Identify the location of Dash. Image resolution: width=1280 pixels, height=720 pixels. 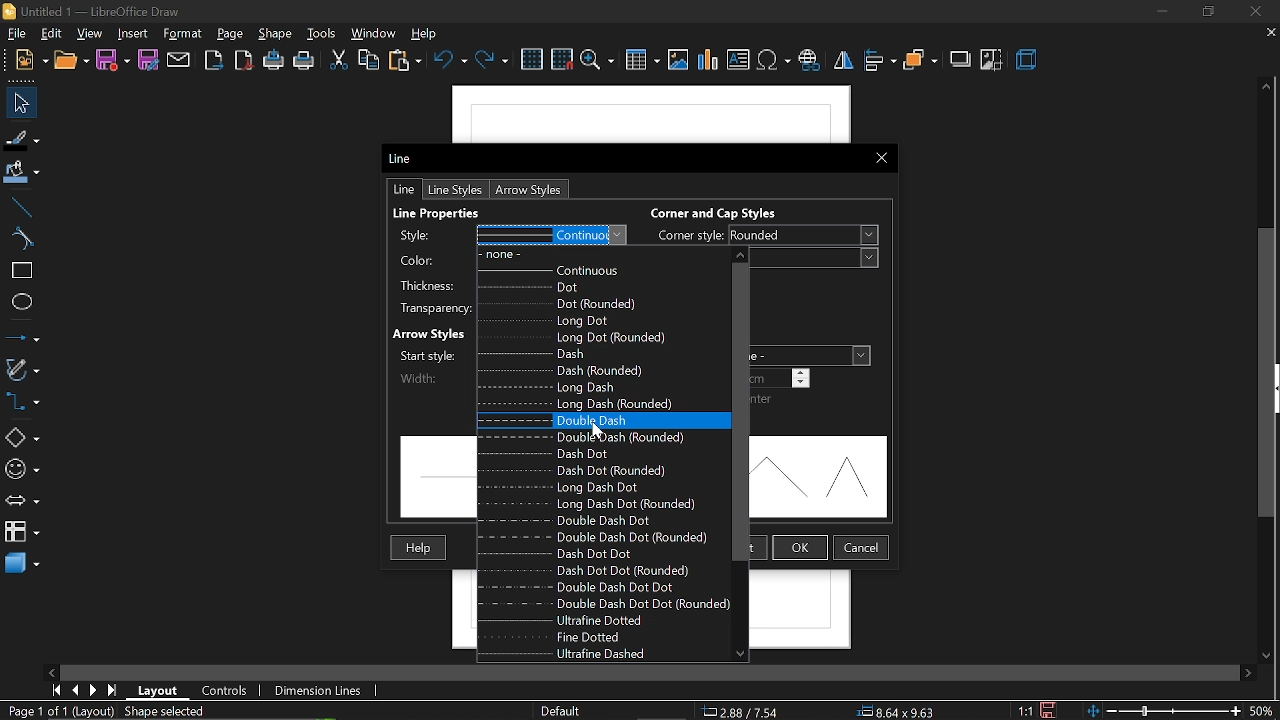
(604, 354).